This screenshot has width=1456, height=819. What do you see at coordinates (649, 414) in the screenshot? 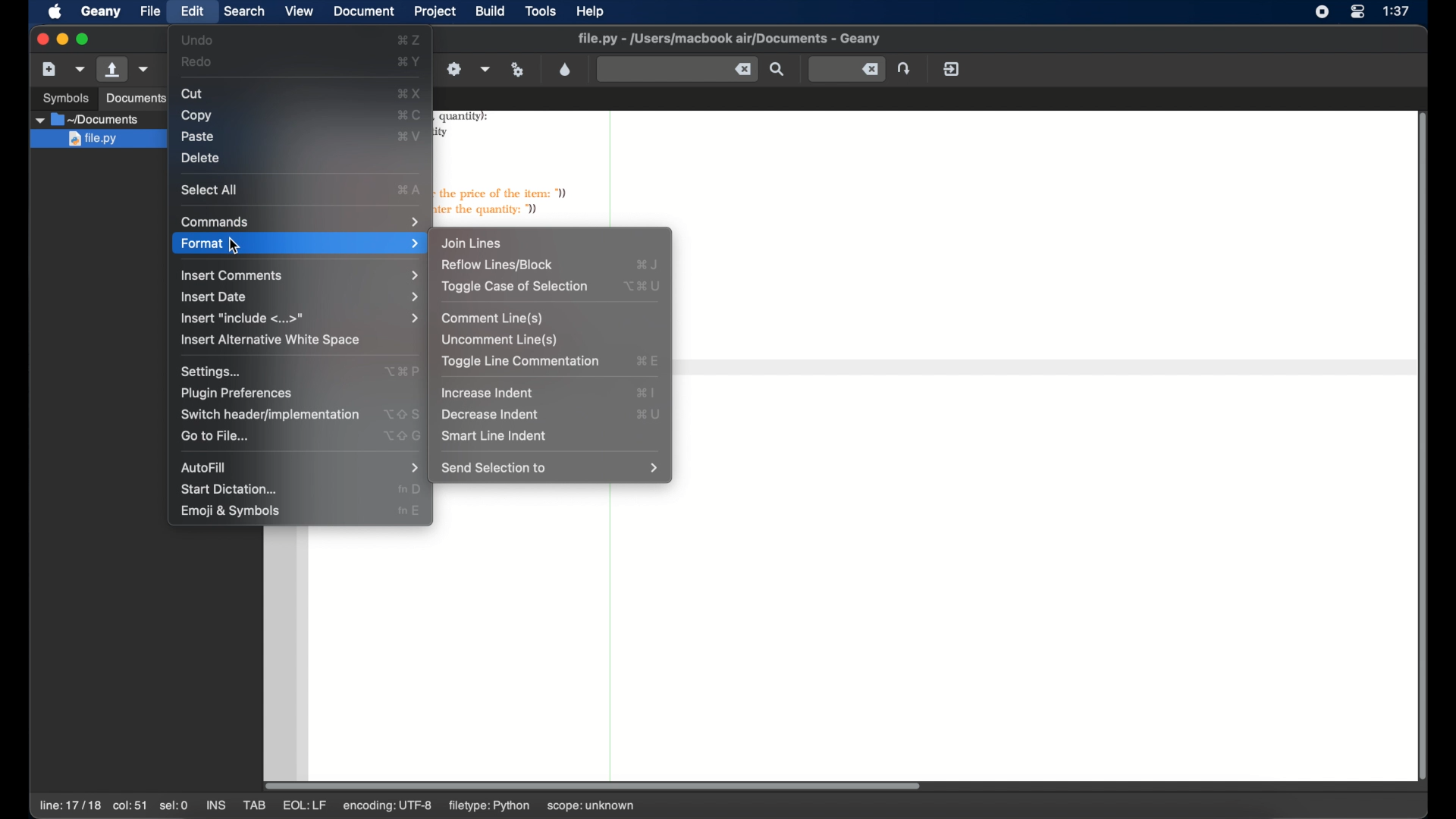
I see `decrease indent shortcut` at bounding box center [649, 414].